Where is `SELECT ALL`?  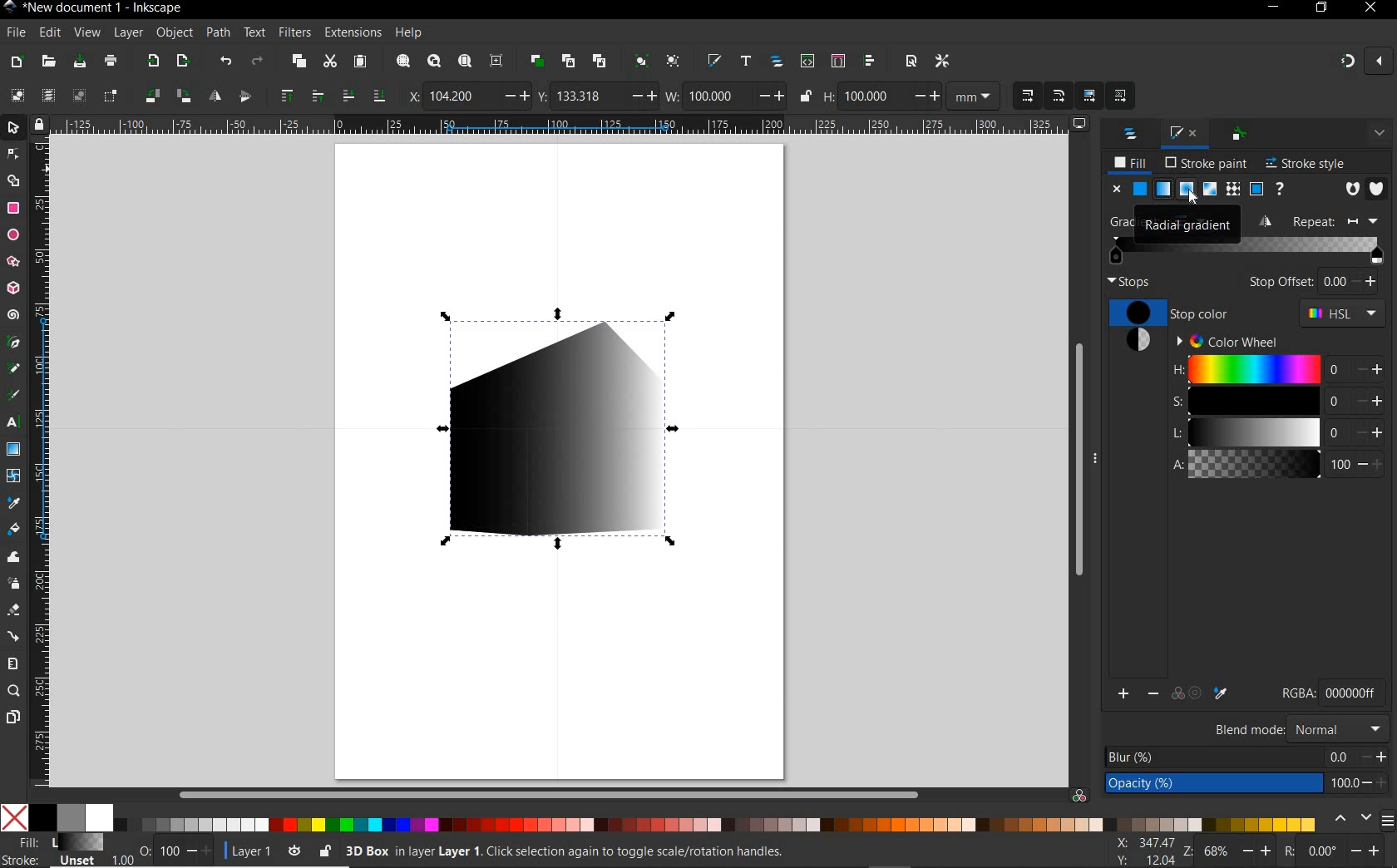 SELECT ALL is located at coordinates (16, 93).